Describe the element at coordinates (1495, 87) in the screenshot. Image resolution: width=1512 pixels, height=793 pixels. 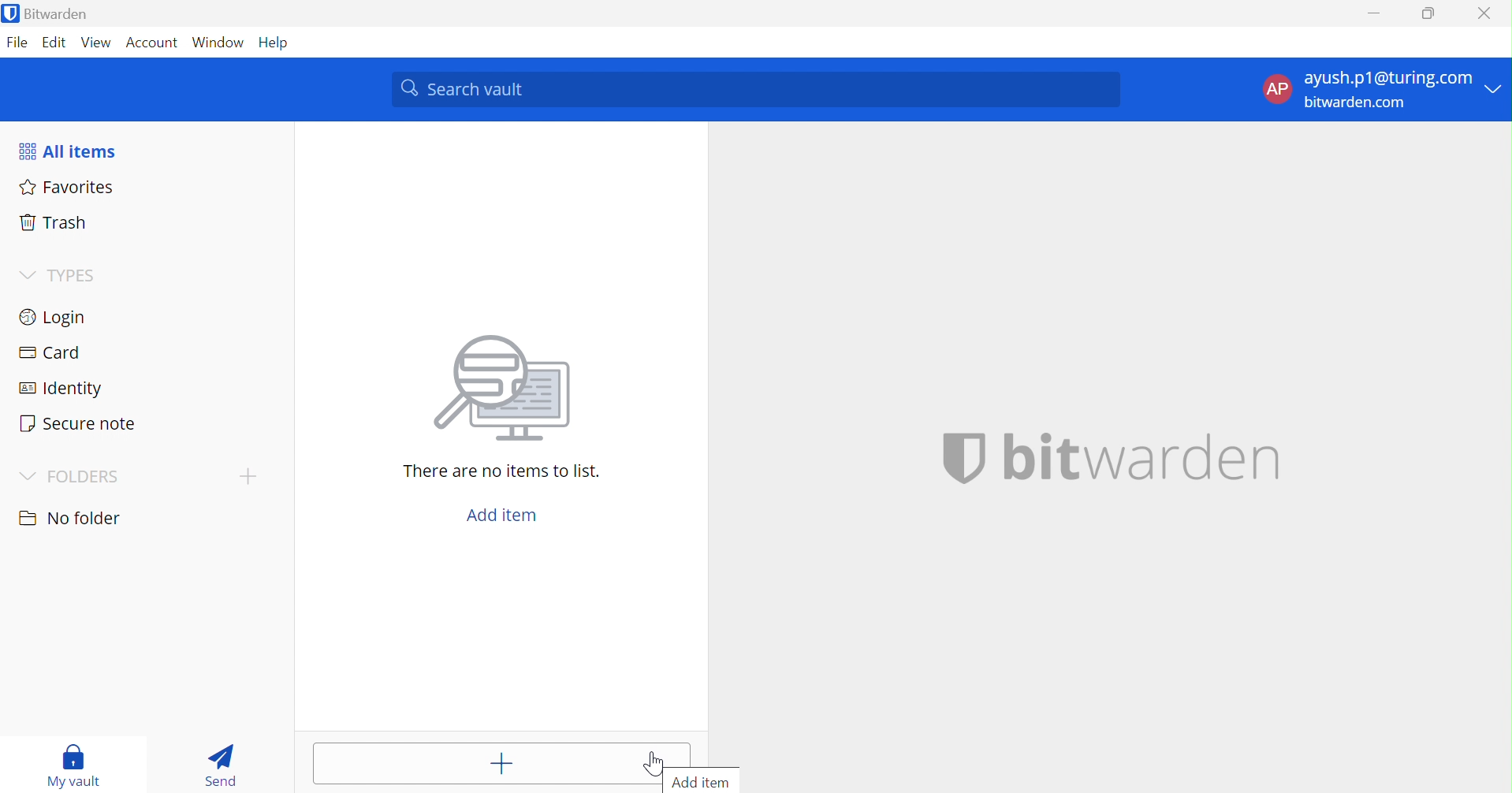
I see `Drop down` at that location.